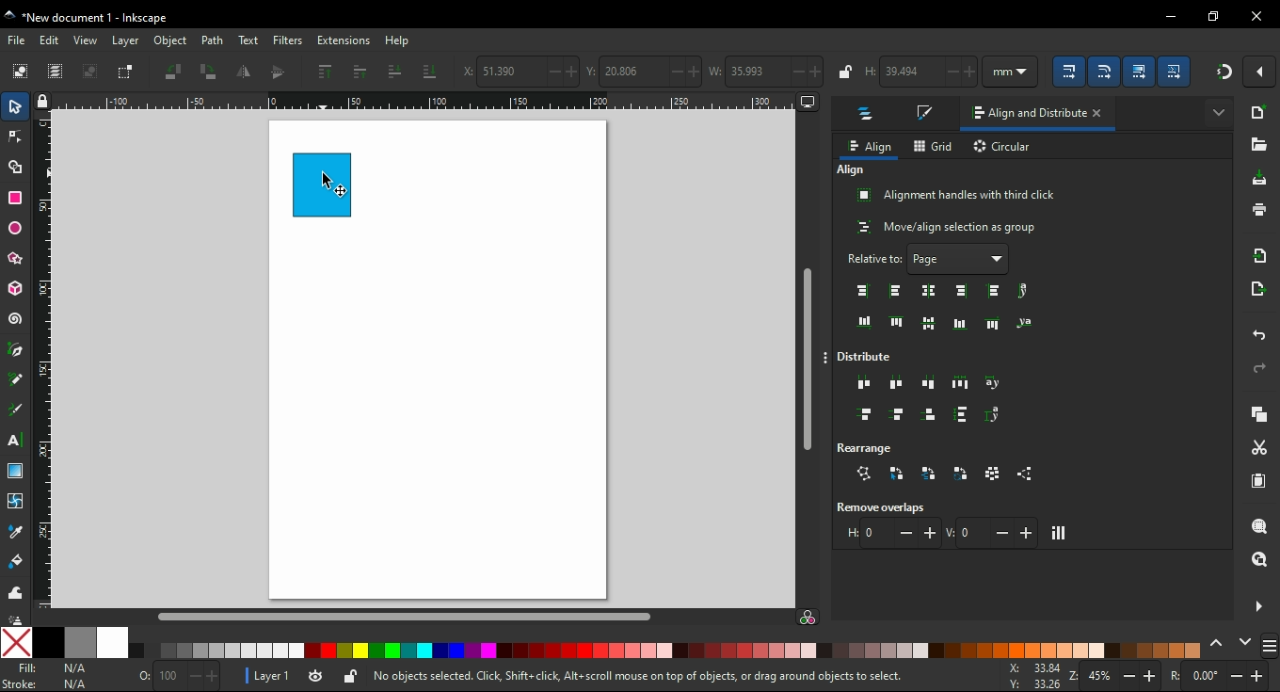 This screenshot has height=692, width=1280. Describe the element at coordinates (927, 114) in the screenshot. I see `fill and stroke` at that location.